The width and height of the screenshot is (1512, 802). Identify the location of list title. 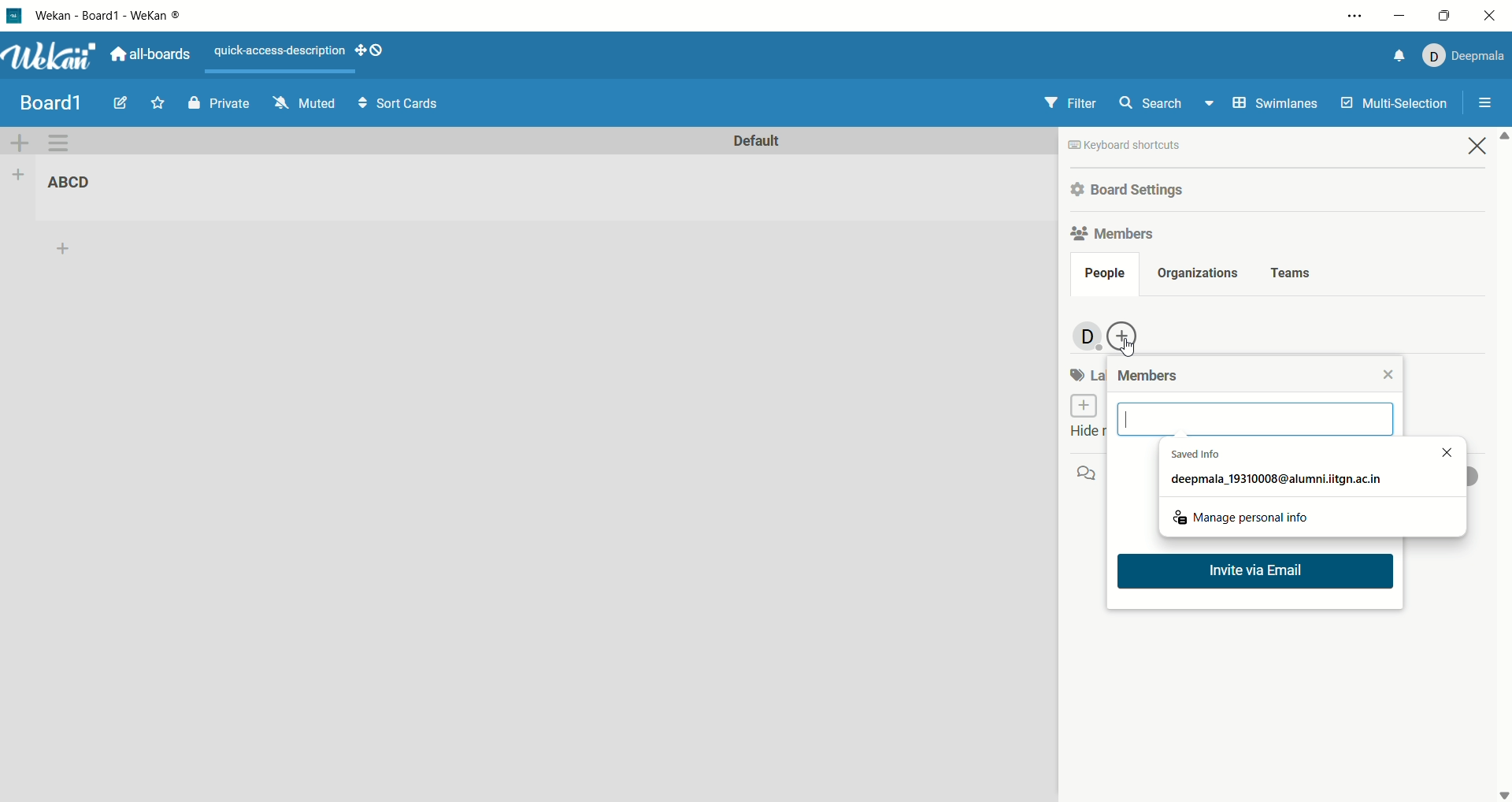
(79, 184).